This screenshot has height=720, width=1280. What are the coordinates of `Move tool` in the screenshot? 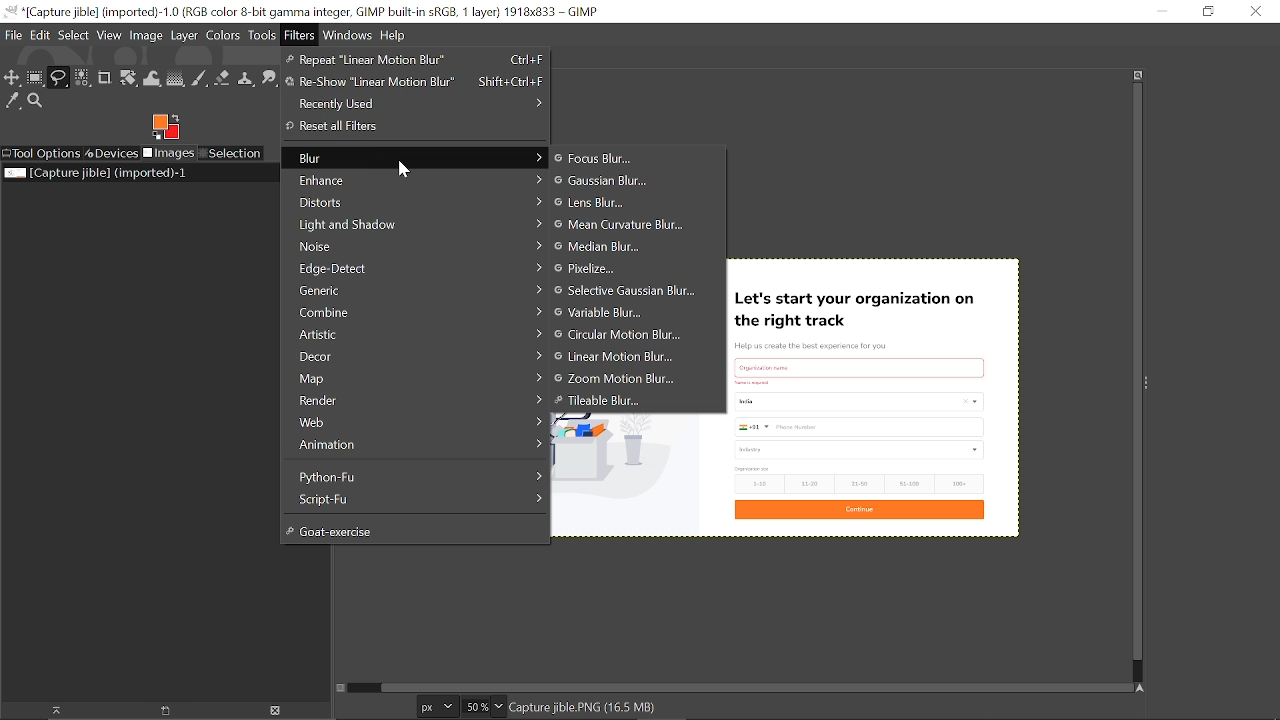 It's located at (12, 77).